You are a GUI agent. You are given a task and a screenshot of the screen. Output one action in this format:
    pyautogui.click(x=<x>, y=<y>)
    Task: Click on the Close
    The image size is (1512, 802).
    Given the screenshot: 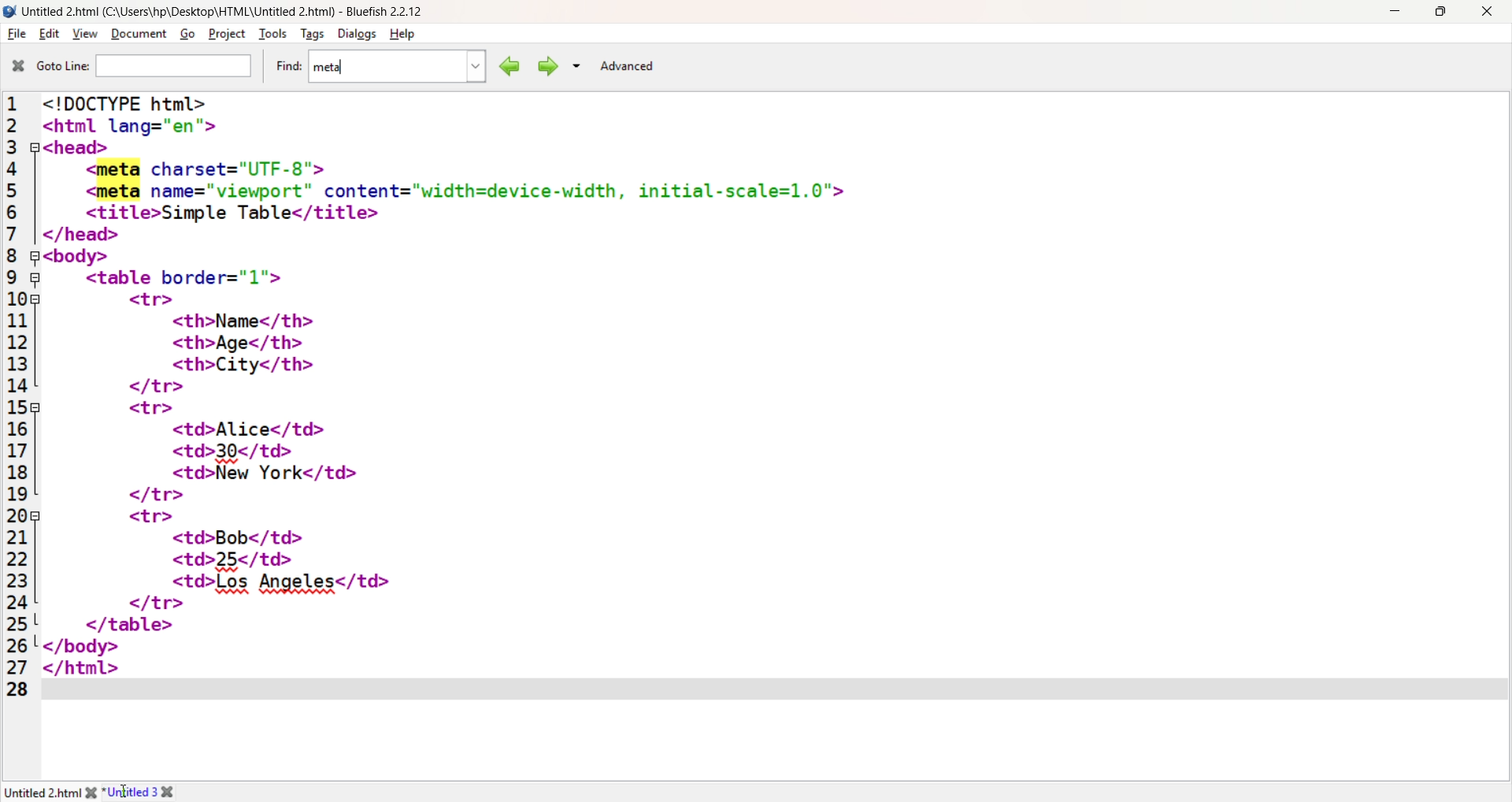 What is the action you would take?
    pyautogui.click(x=1486, y=13)
    